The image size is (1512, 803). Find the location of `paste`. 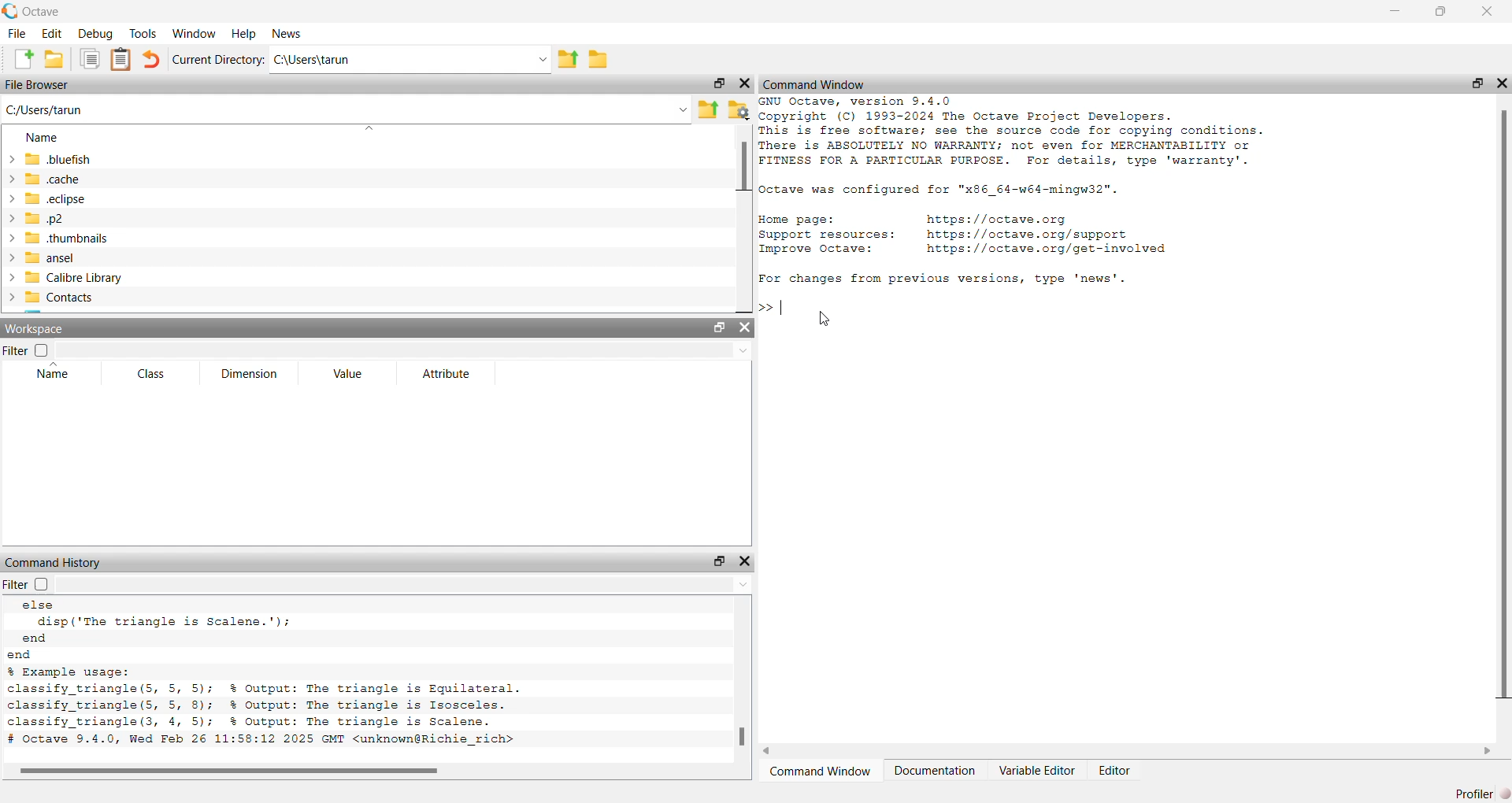

paste is located at coordinates (120, 60).